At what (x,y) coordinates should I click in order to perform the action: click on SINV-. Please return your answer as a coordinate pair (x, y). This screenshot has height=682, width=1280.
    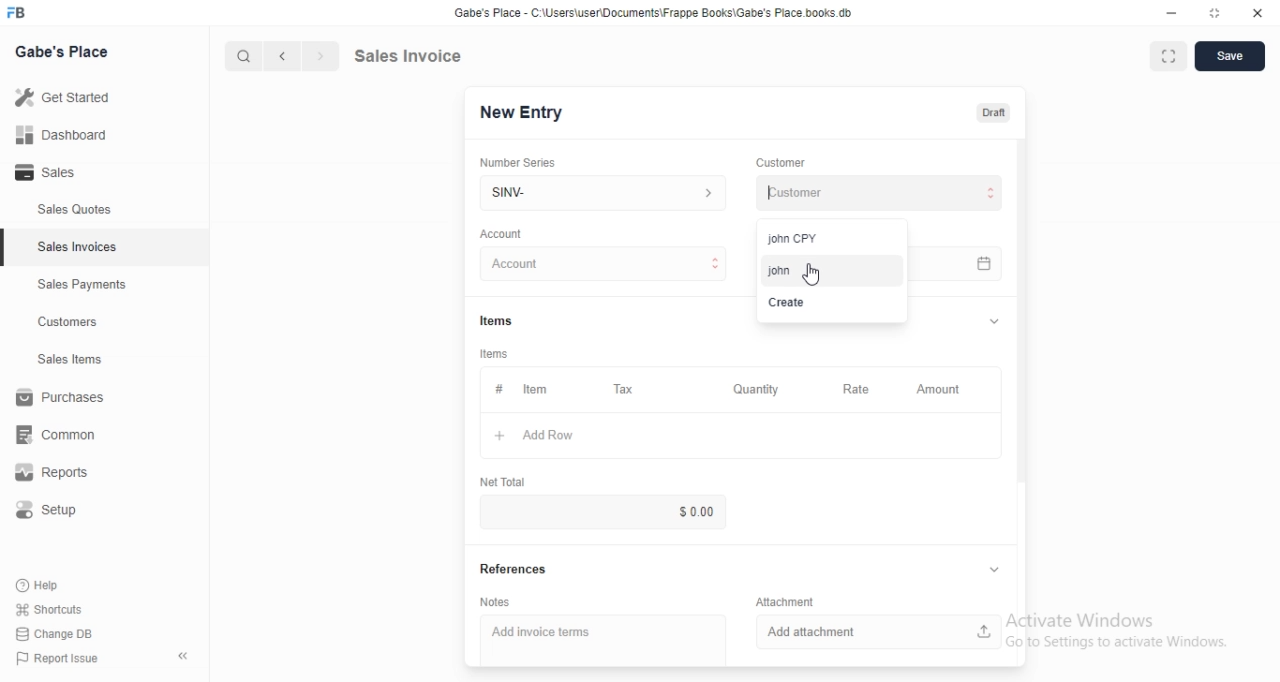
    Looking at the image, I should click on (602, 191).